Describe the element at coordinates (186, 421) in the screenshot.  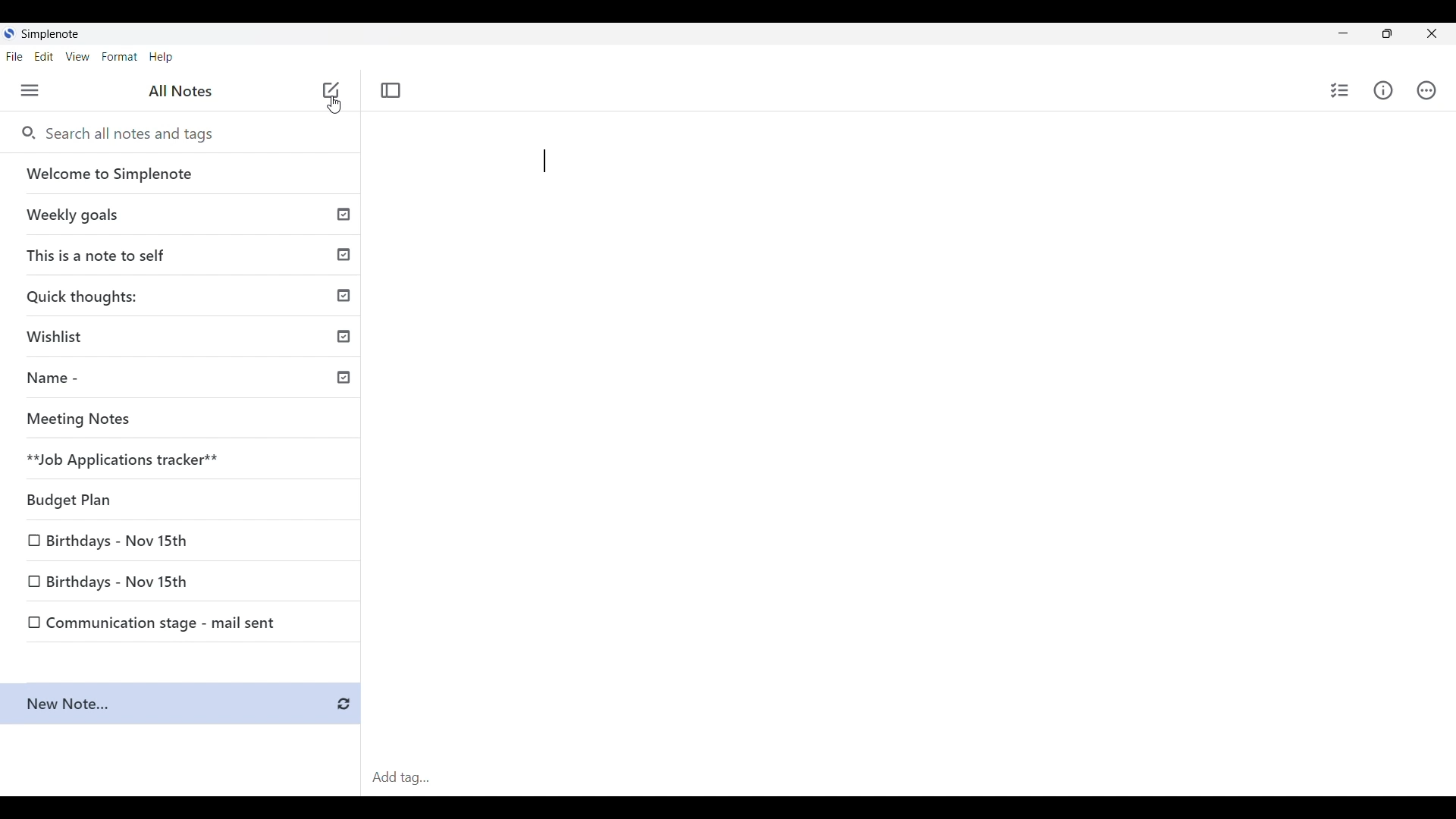
I see `Meeting Notes` at that location.